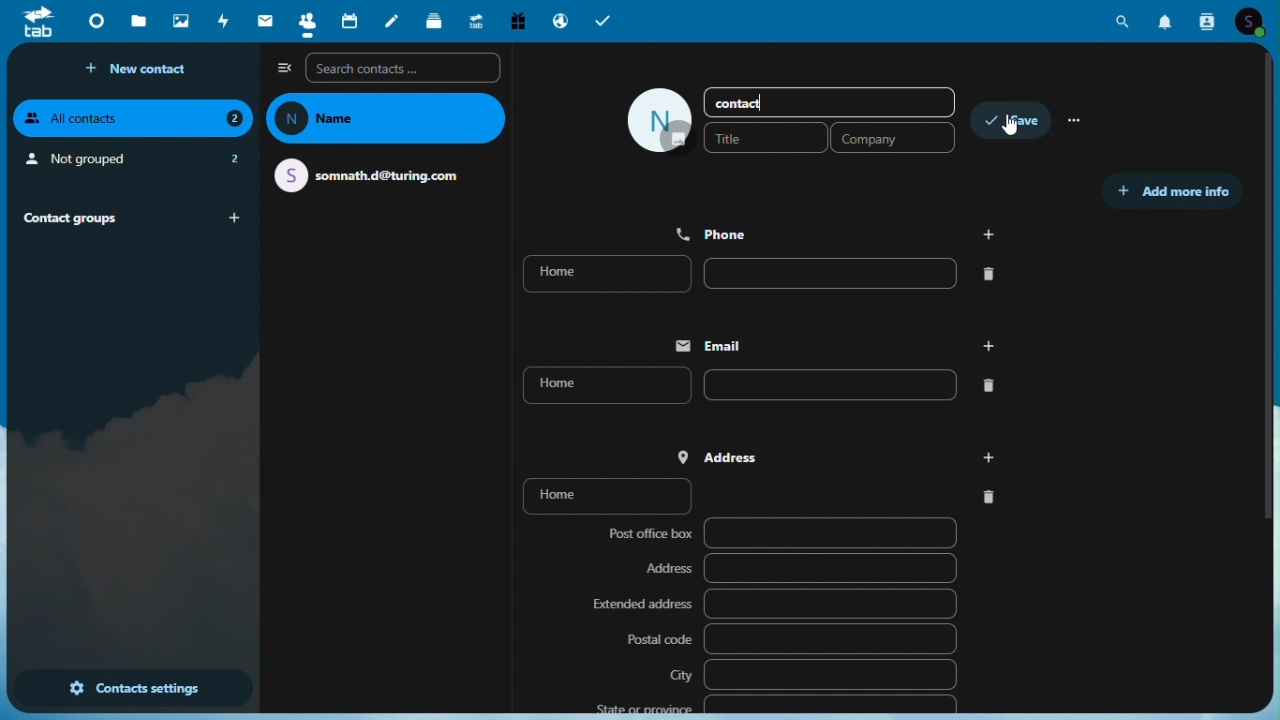  I want to click on email, so click(829, 345).